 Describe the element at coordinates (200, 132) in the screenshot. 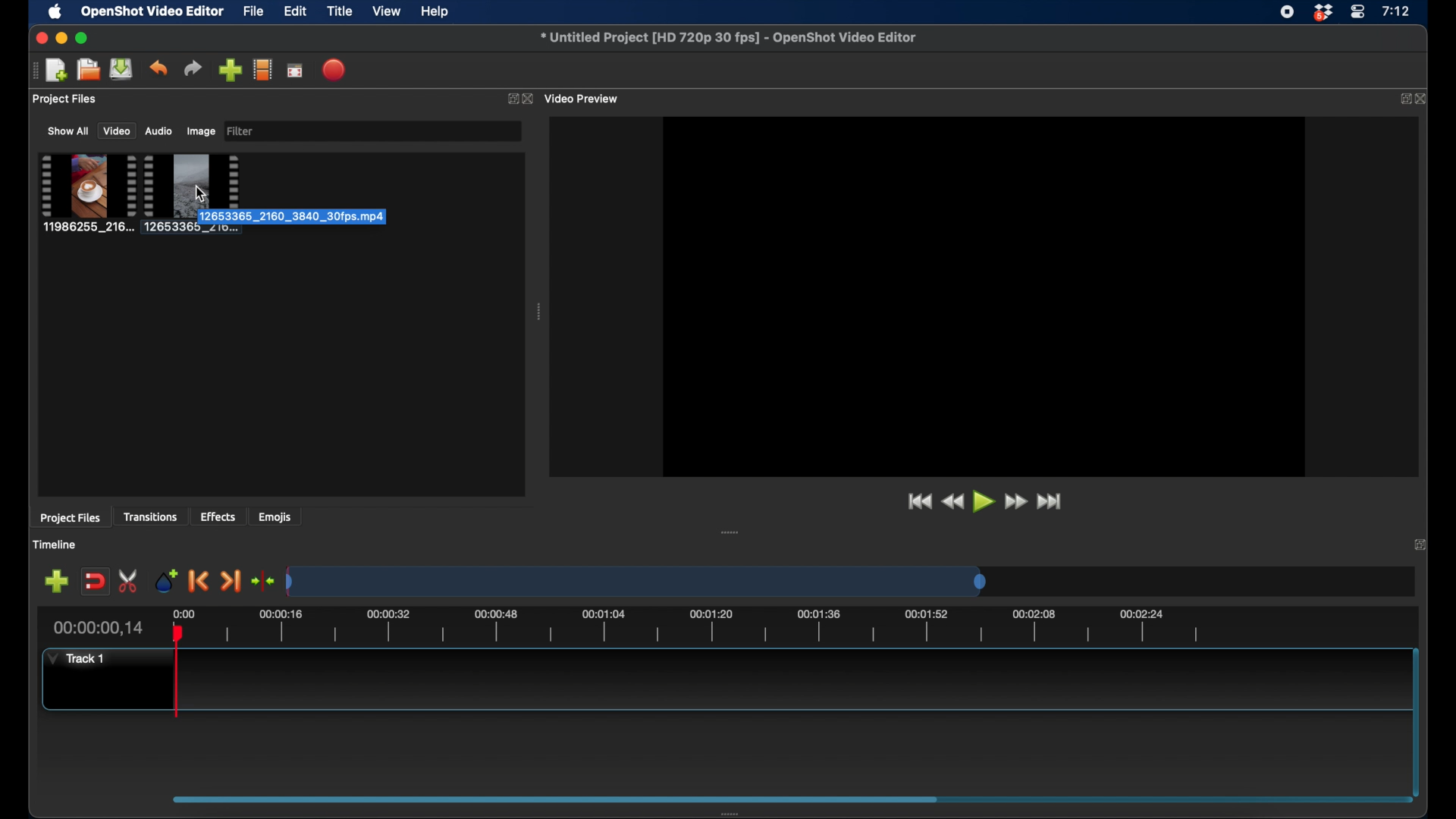

I see `image` at that location.